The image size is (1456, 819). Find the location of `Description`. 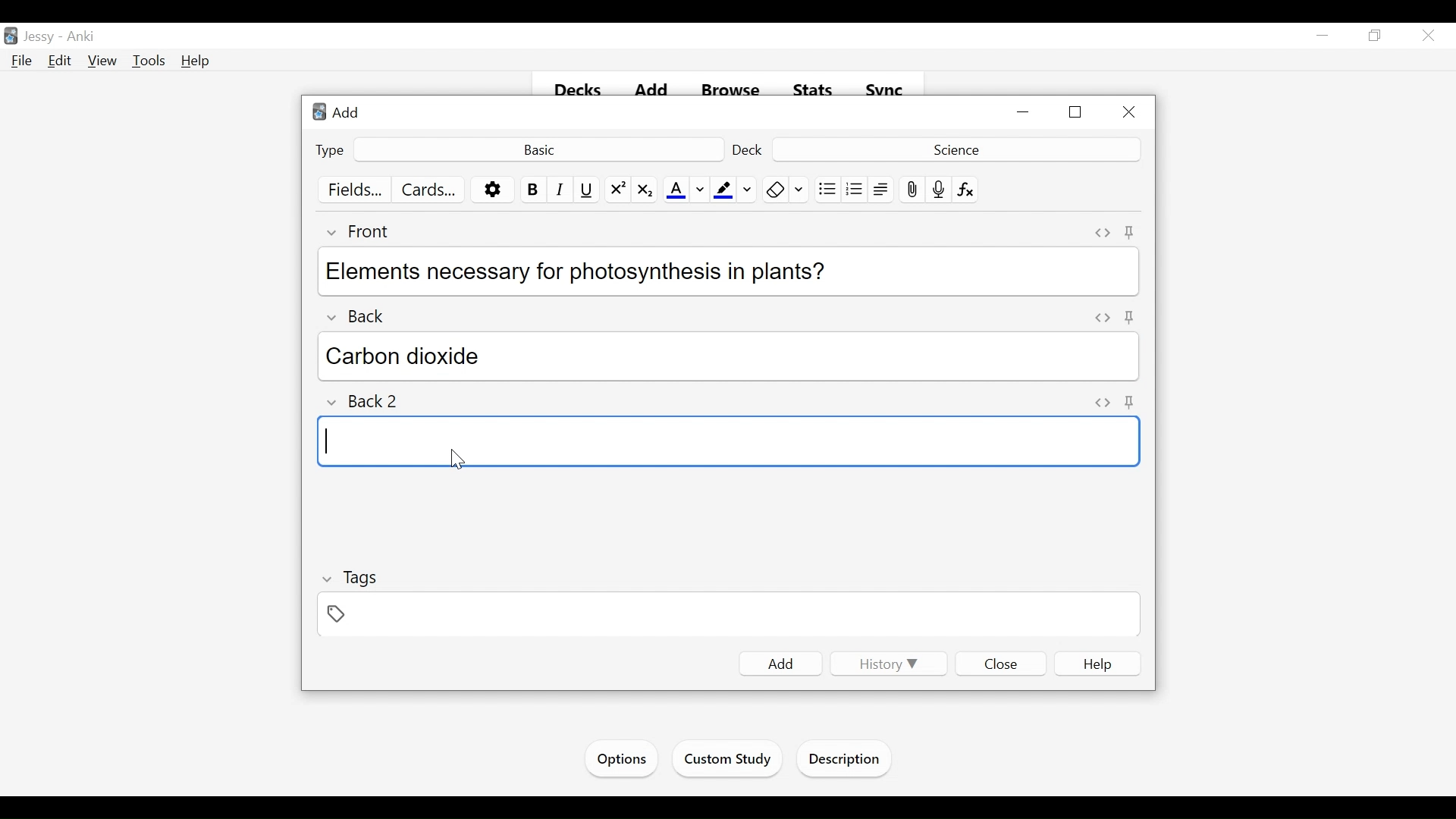

Description is located at coordinates (848, 761).